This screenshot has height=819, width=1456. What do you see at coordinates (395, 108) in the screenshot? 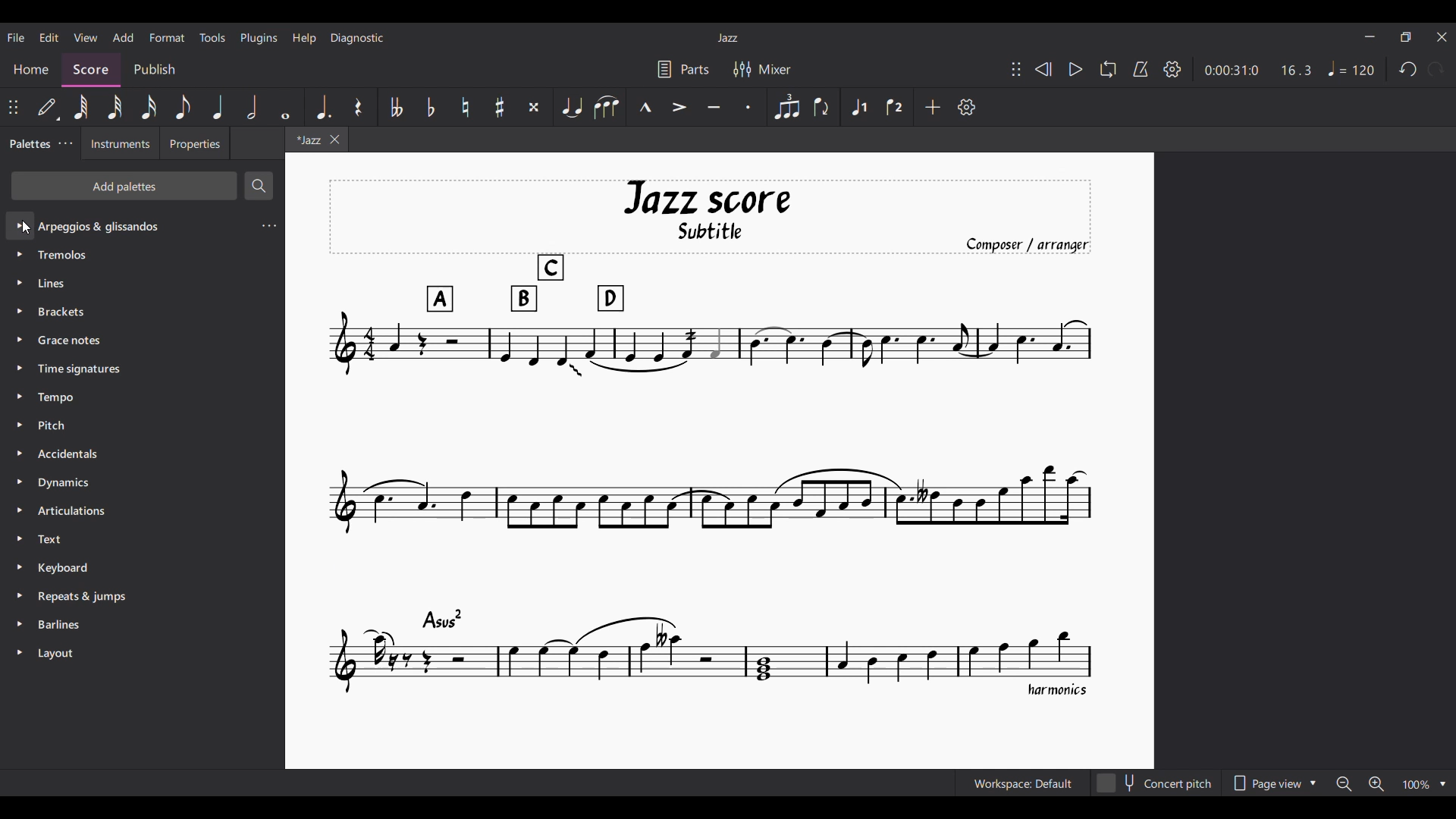
I see `Toggle double flat` at bounding box center [395, 108].